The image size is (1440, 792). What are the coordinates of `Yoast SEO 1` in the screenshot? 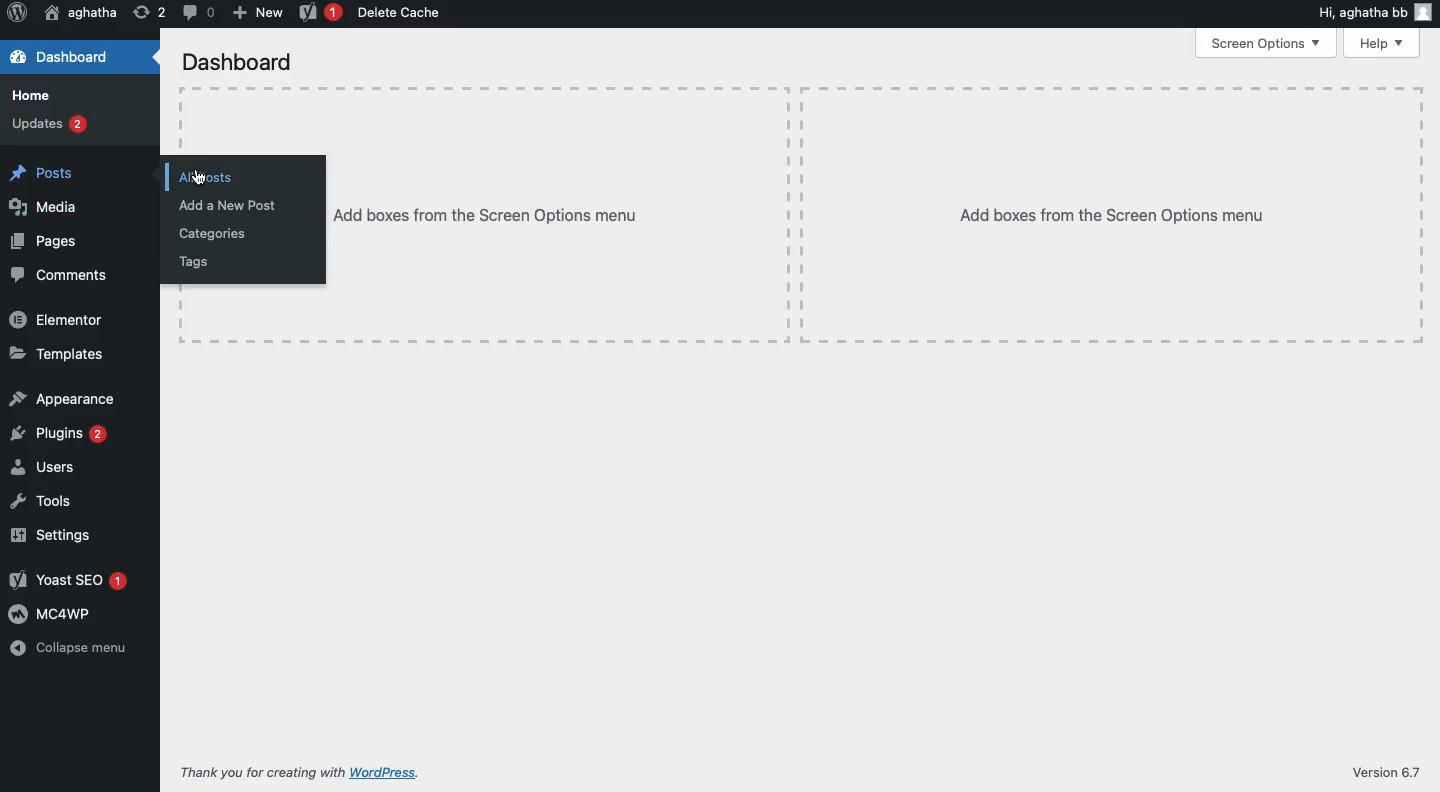 It's located at (72, 582).